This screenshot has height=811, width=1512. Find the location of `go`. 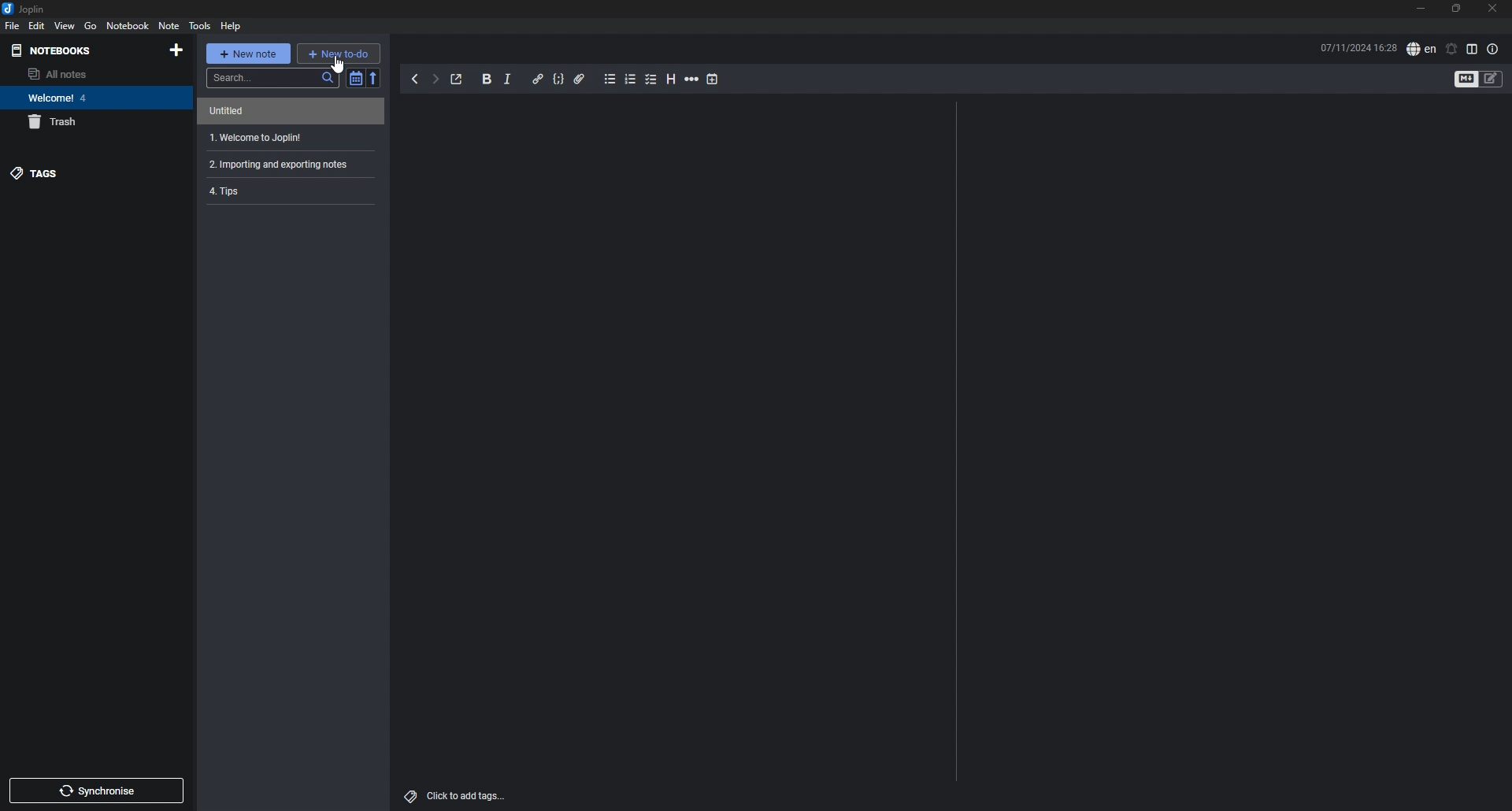

go is located at coordinates (91, 26).